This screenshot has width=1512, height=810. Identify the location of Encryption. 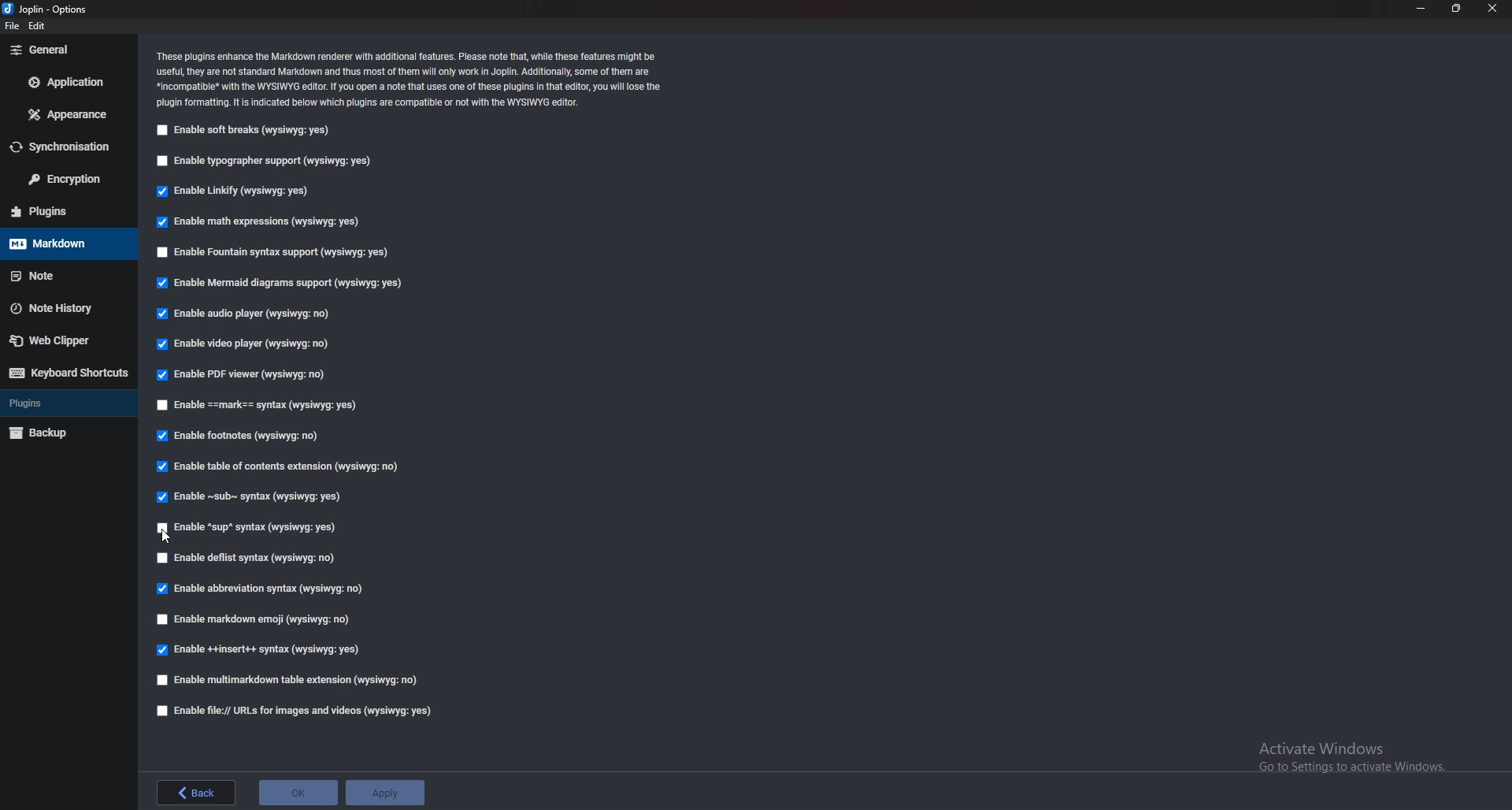
(70, 180).